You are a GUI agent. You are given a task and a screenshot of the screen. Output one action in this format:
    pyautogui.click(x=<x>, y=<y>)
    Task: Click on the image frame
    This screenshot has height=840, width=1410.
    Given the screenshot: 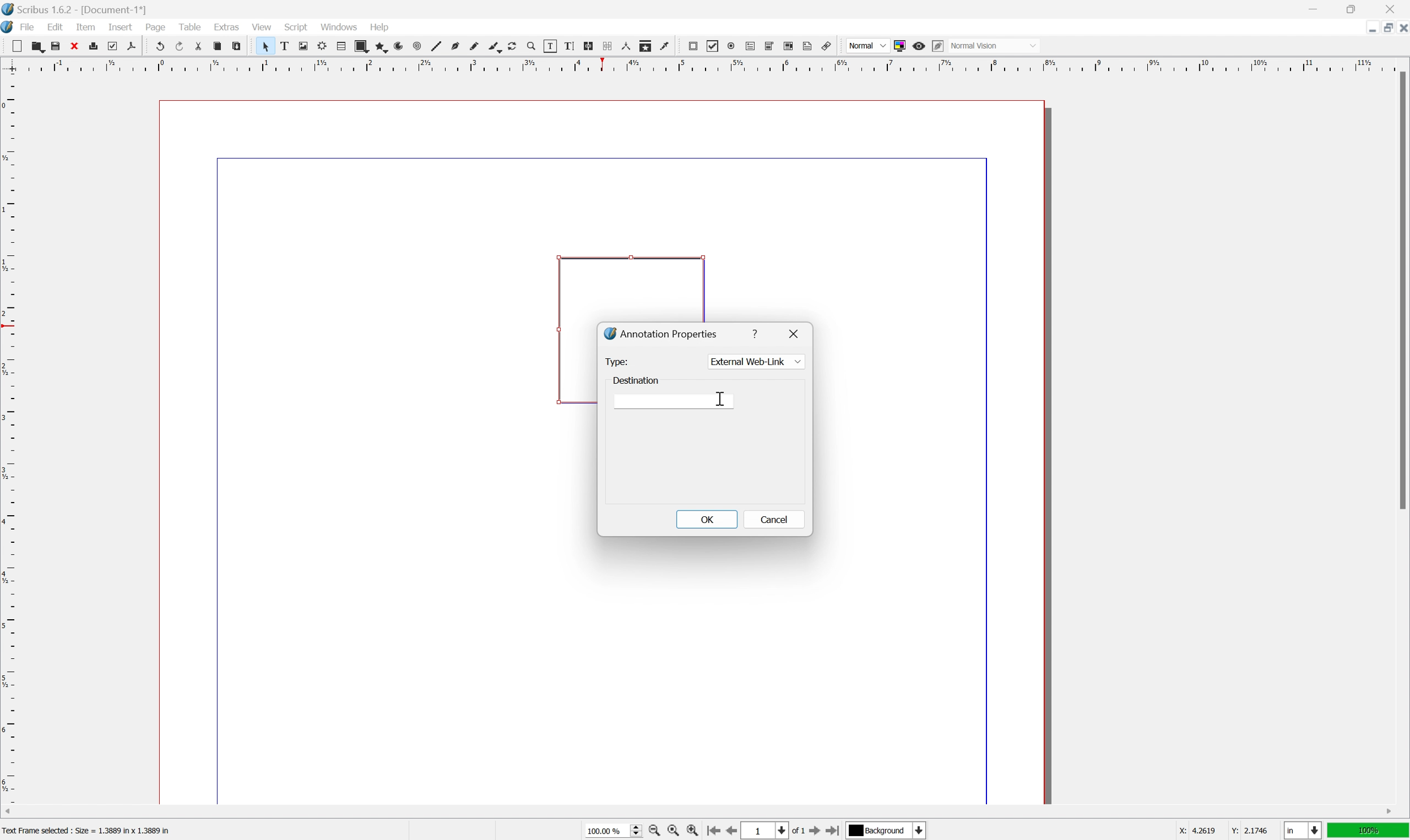 What is the action you would take?
    pyautogui.click(x=303, y=46)
    